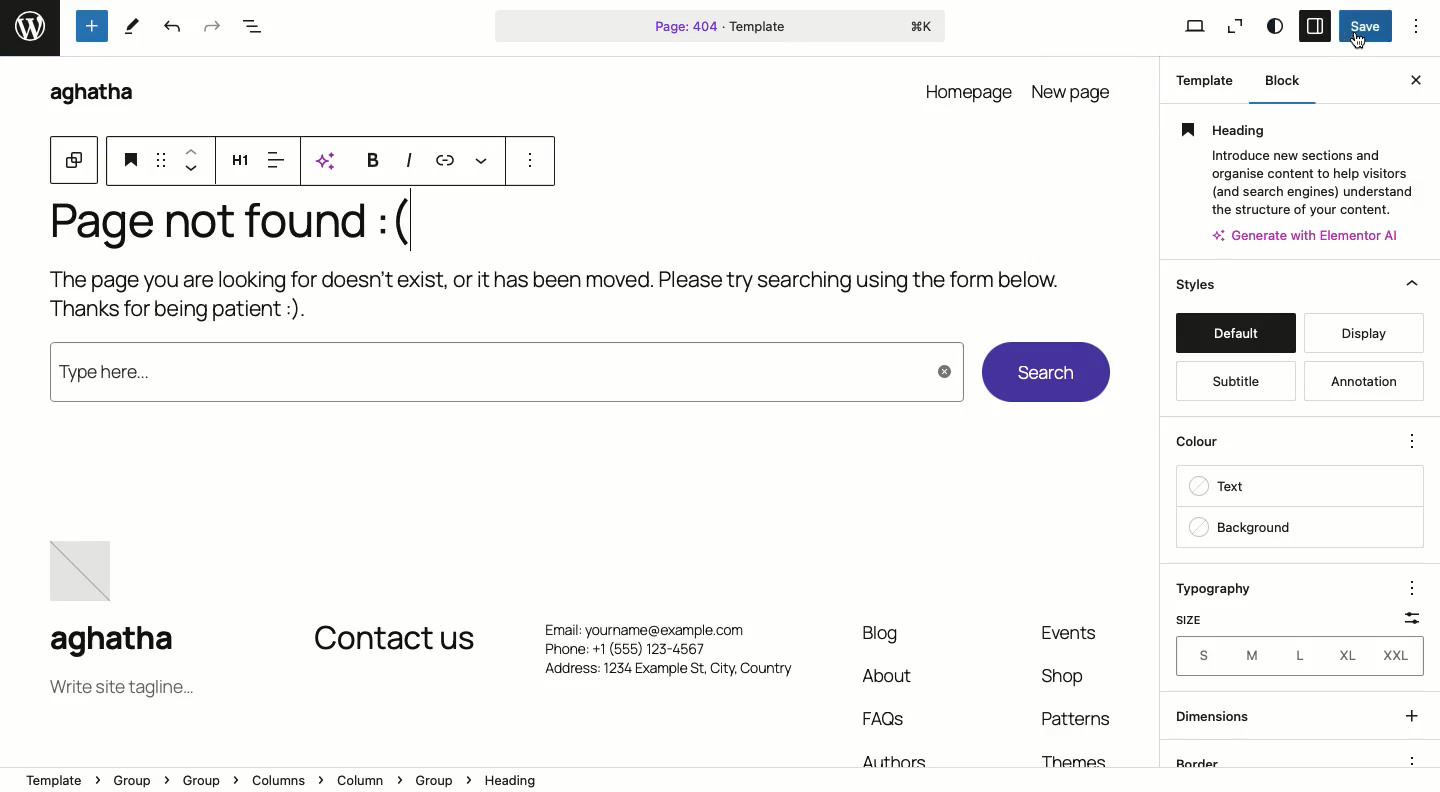 Image resolution: width=1440 pixels, height=792 pixels. Describe the element at coordinates (1237, 25) in the screenshot. I see `Zoom out` at that location.